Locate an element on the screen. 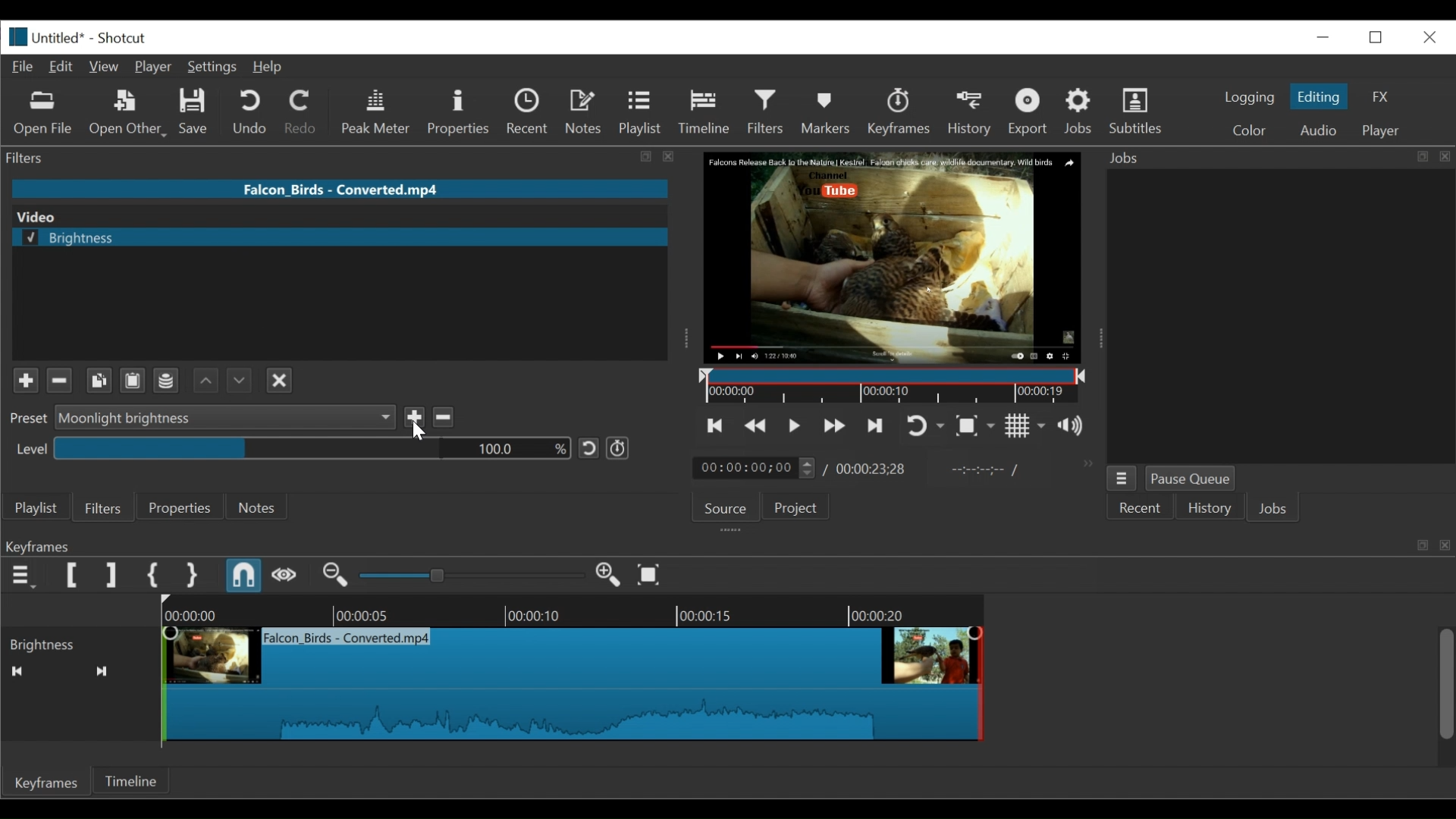 The image size is (1456, 819). Timeline is located at coordinates (889, 384).